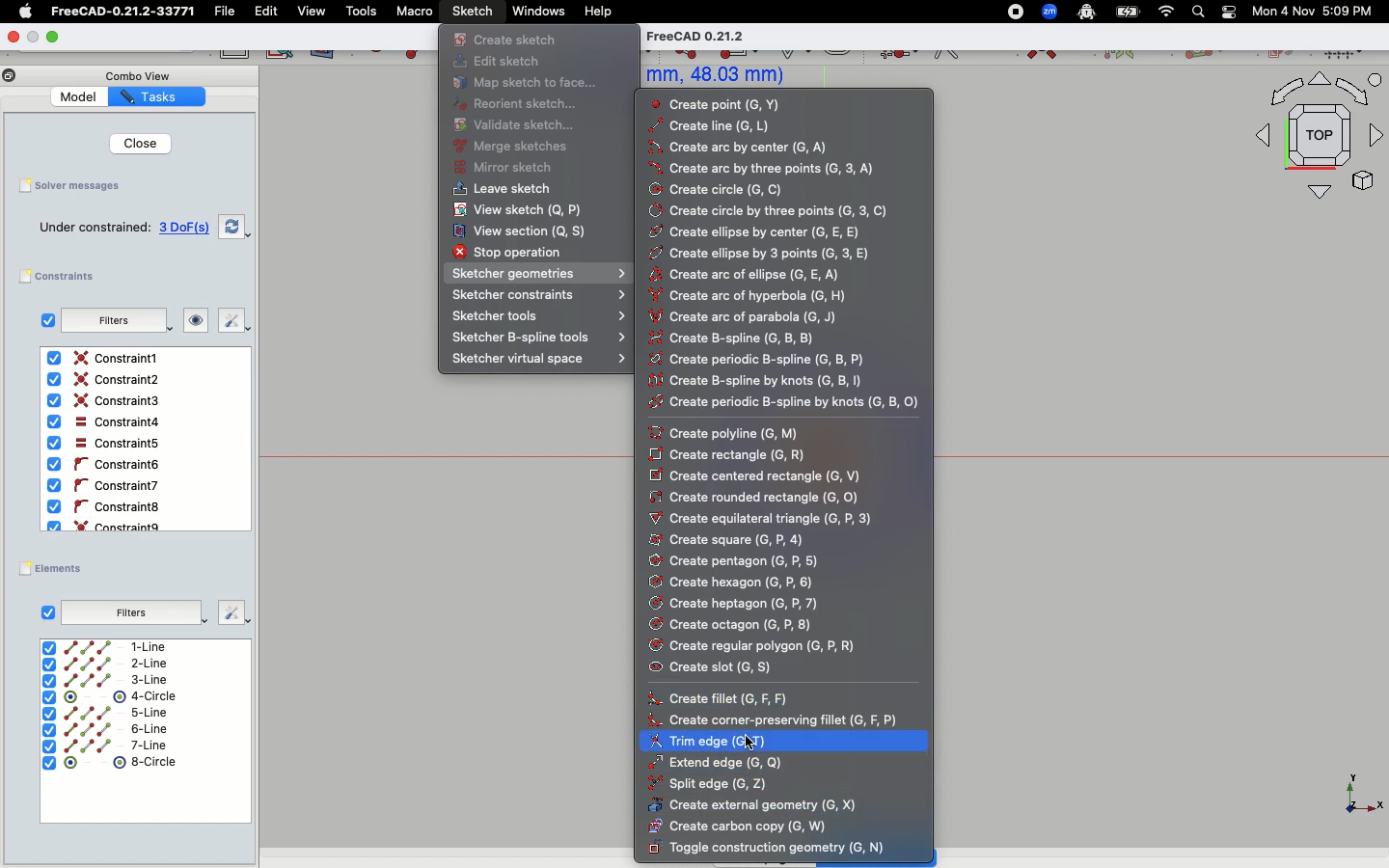  I want to click on Create point, so click(719, 104).